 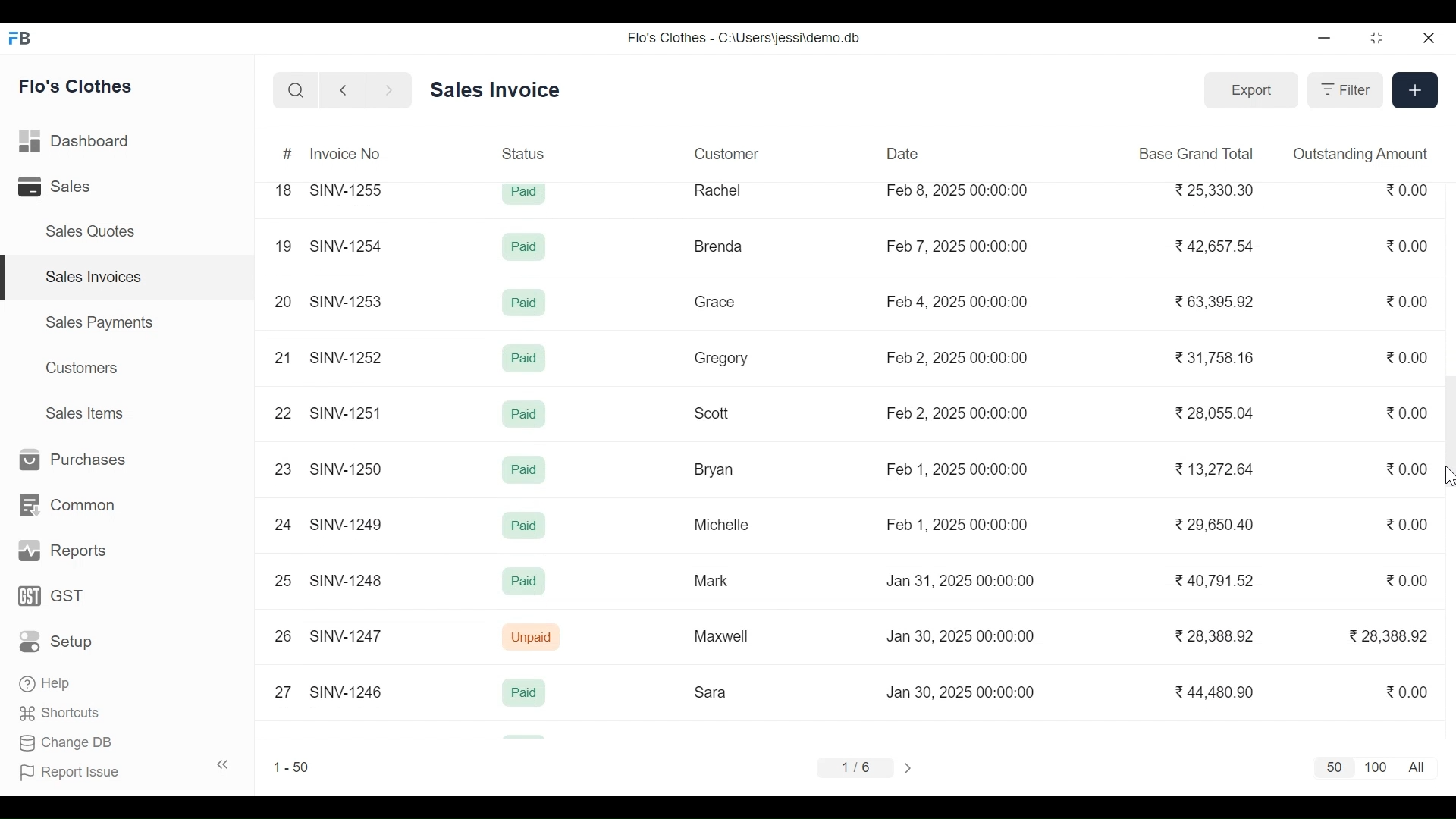 What do you see at coordinates (526, 303) in the screenshot?
I see `Paid` at bounding box center [526, 303].